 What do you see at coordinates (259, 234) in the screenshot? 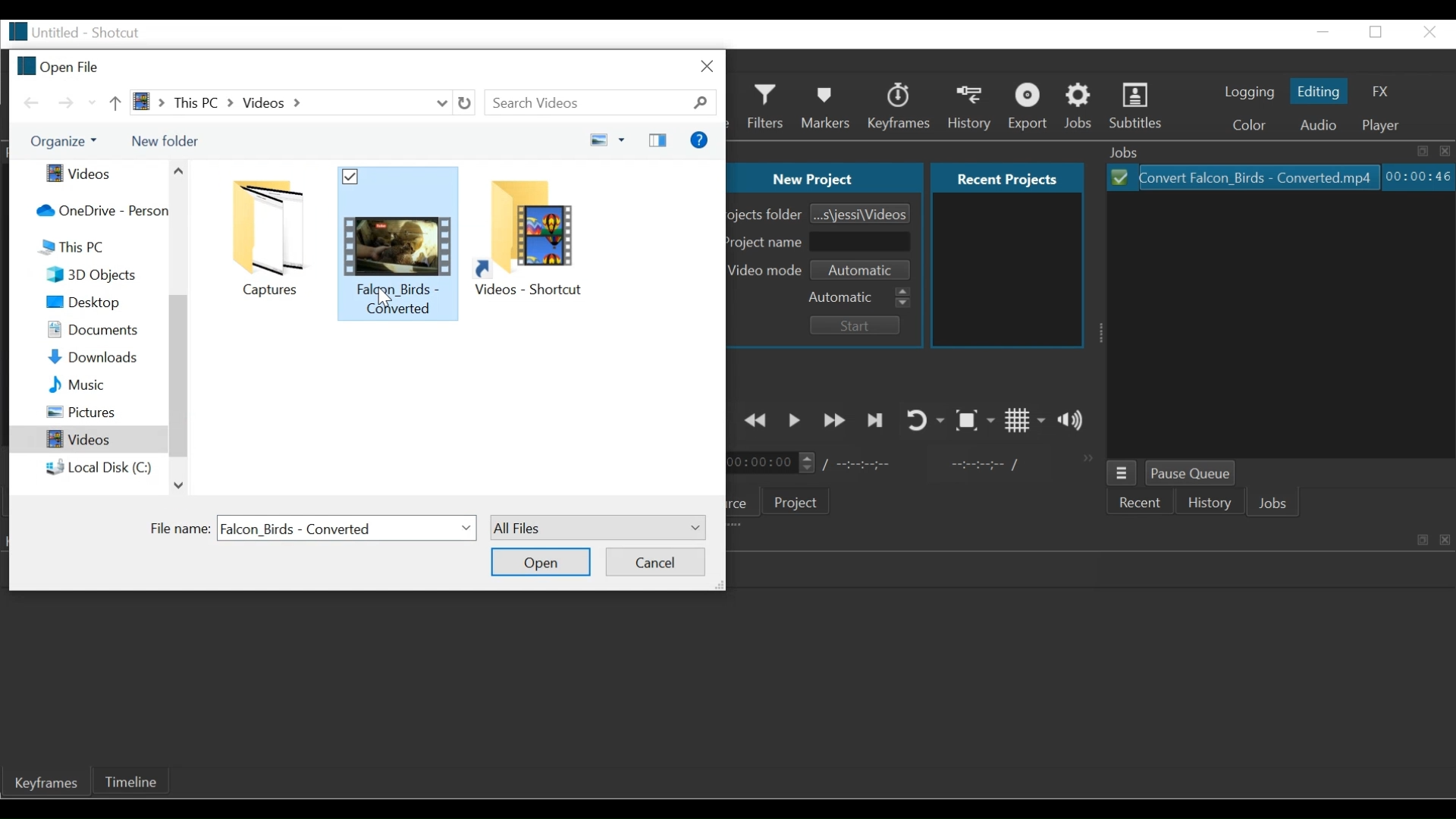
I see `folder` at bounding box center [259, 234].